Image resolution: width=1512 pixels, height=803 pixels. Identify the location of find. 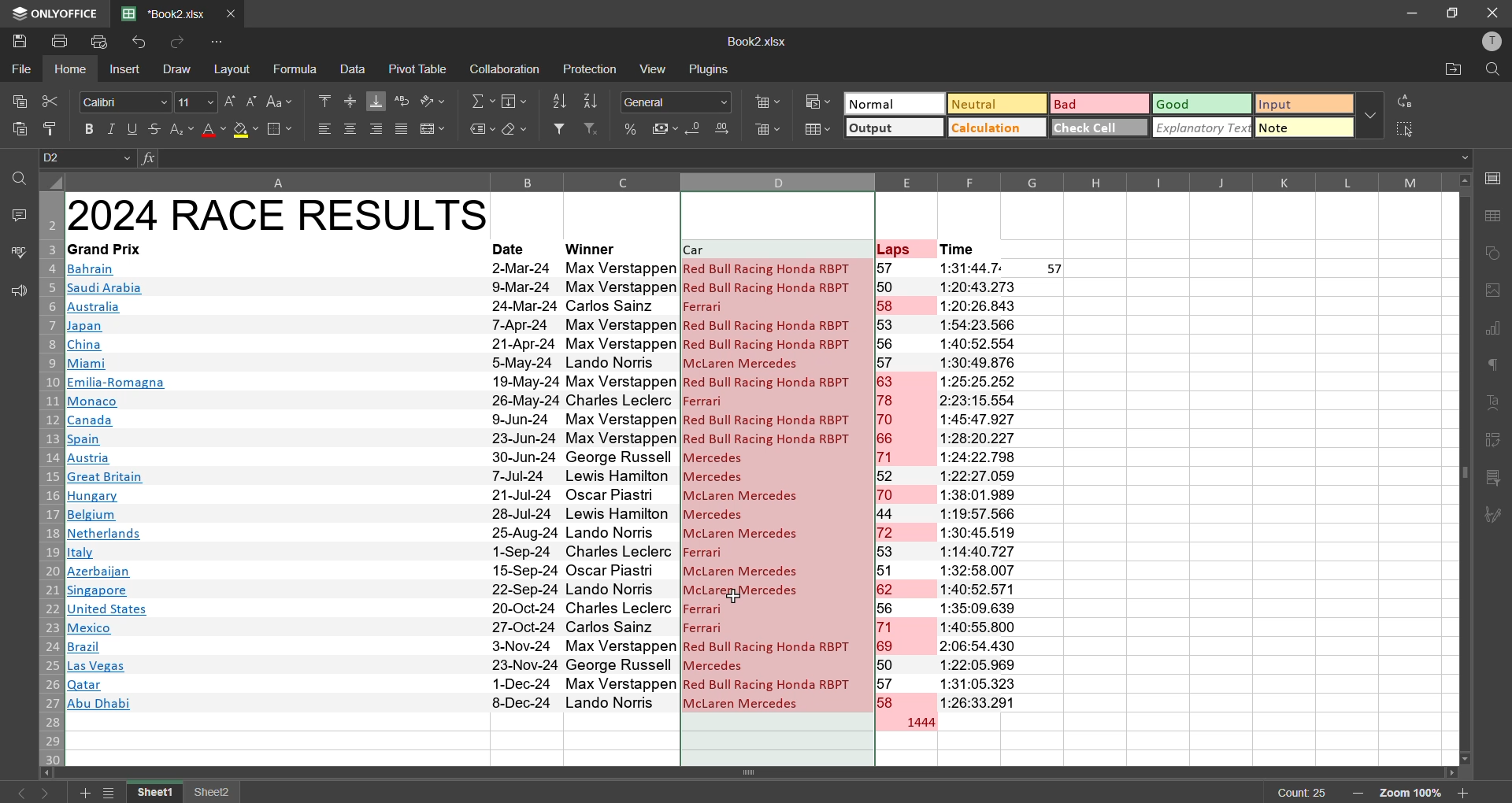
(19, 178).